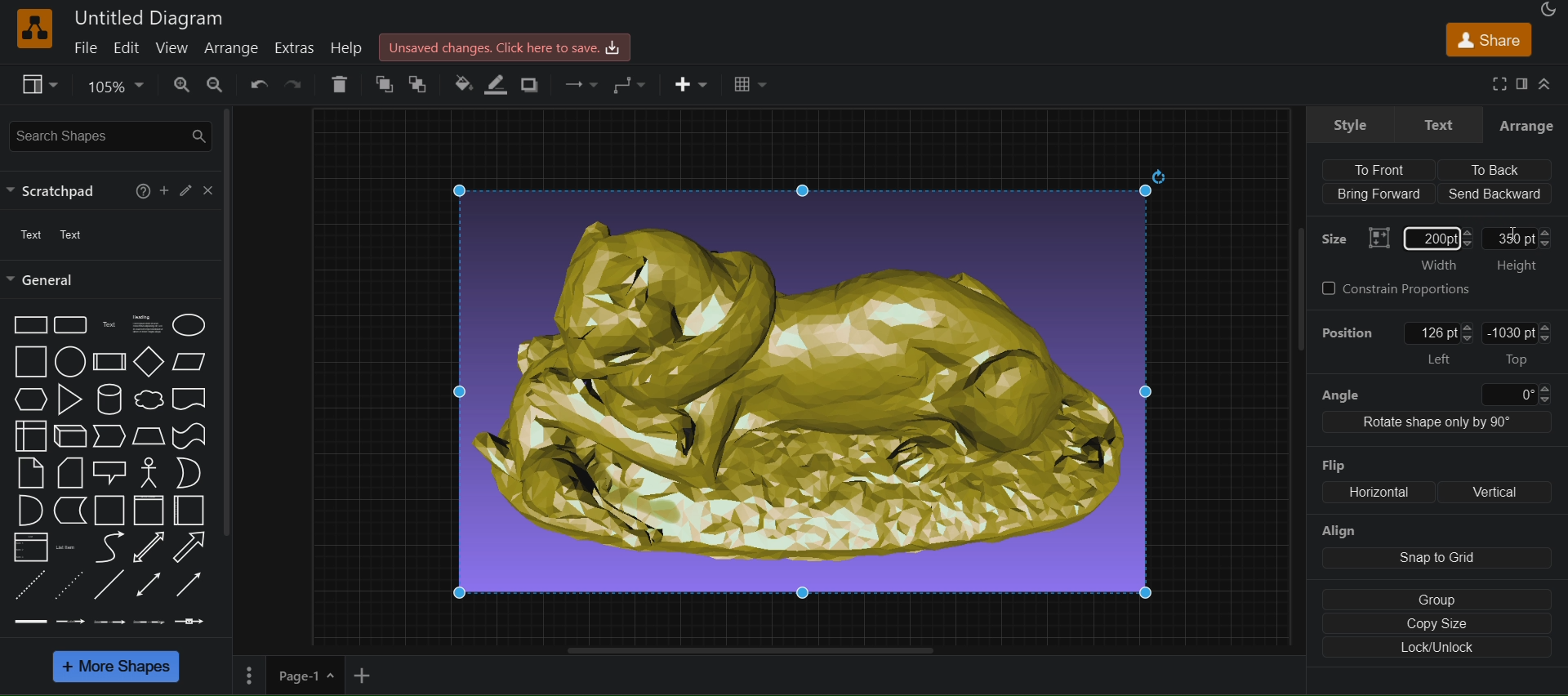 The width and height of the screenshot is (1568, 696). What do you see at coordinates (111, 87) in the screenshot?
I see `zoom` at bounding box center [111, 87].